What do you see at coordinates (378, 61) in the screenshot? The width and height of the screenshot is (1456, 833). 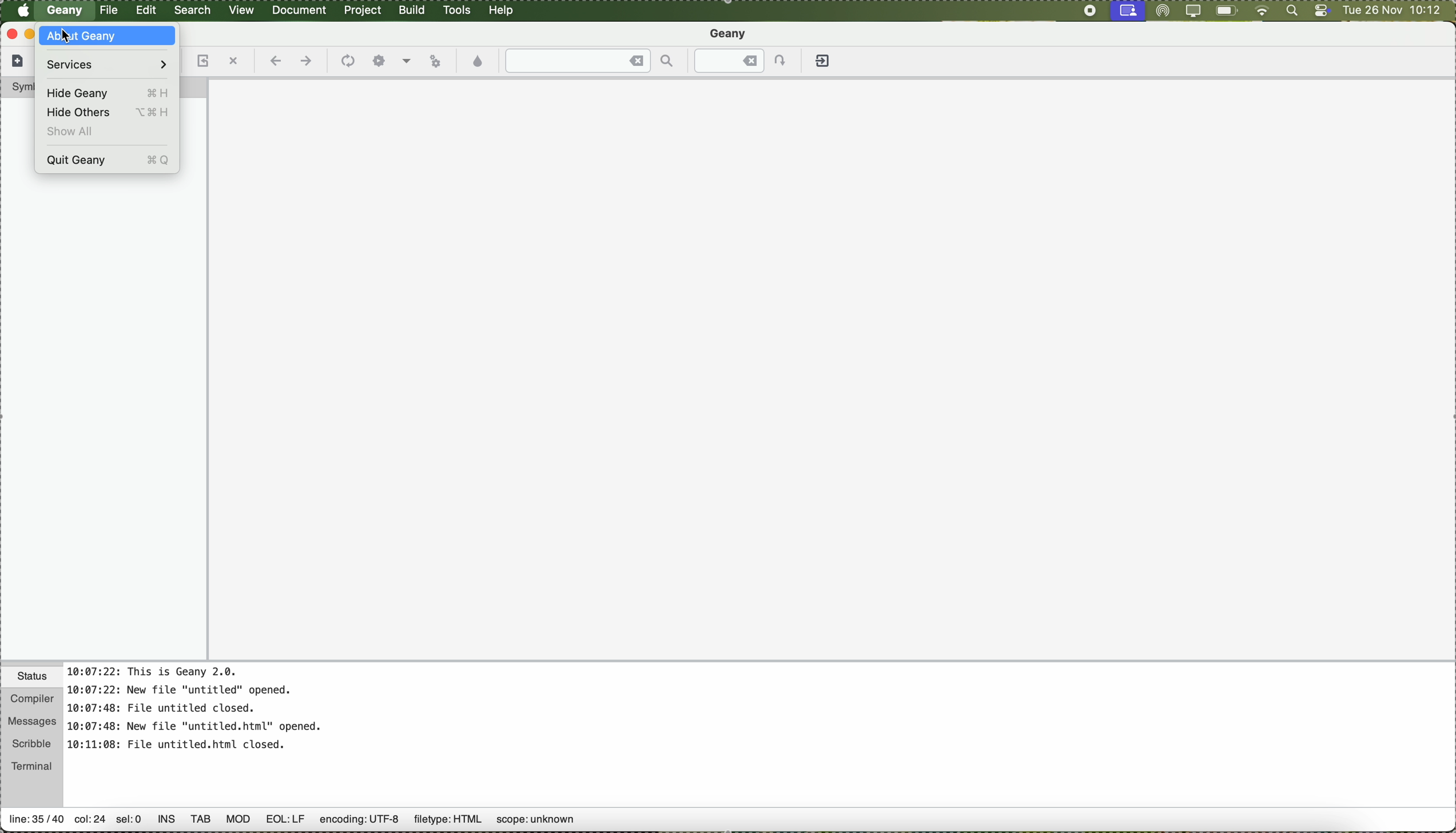 I see `settings` at bounding box center [378, 61].